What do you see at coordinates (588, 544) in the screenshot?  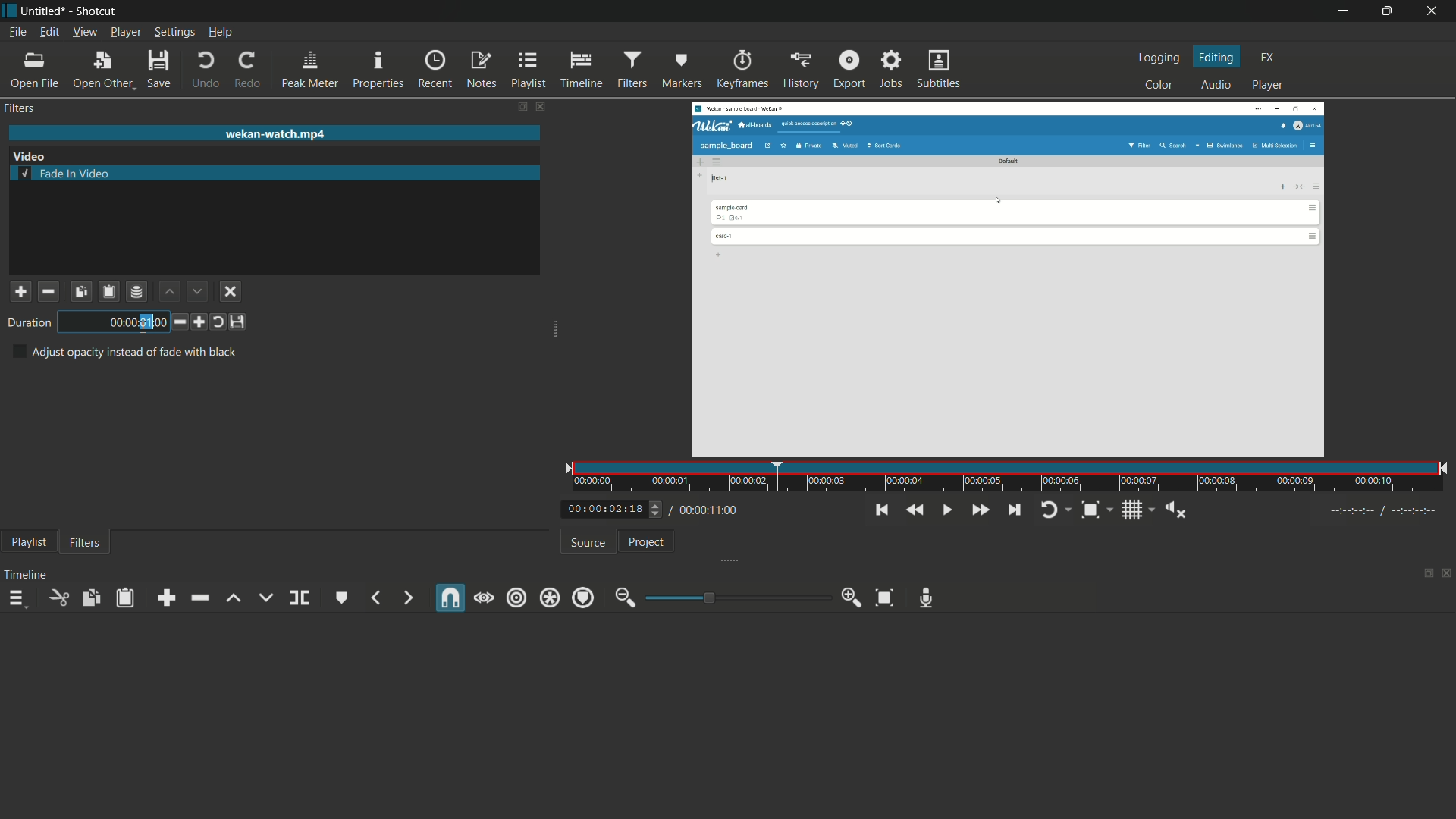 I see `source` at bounding box center [588, 544].